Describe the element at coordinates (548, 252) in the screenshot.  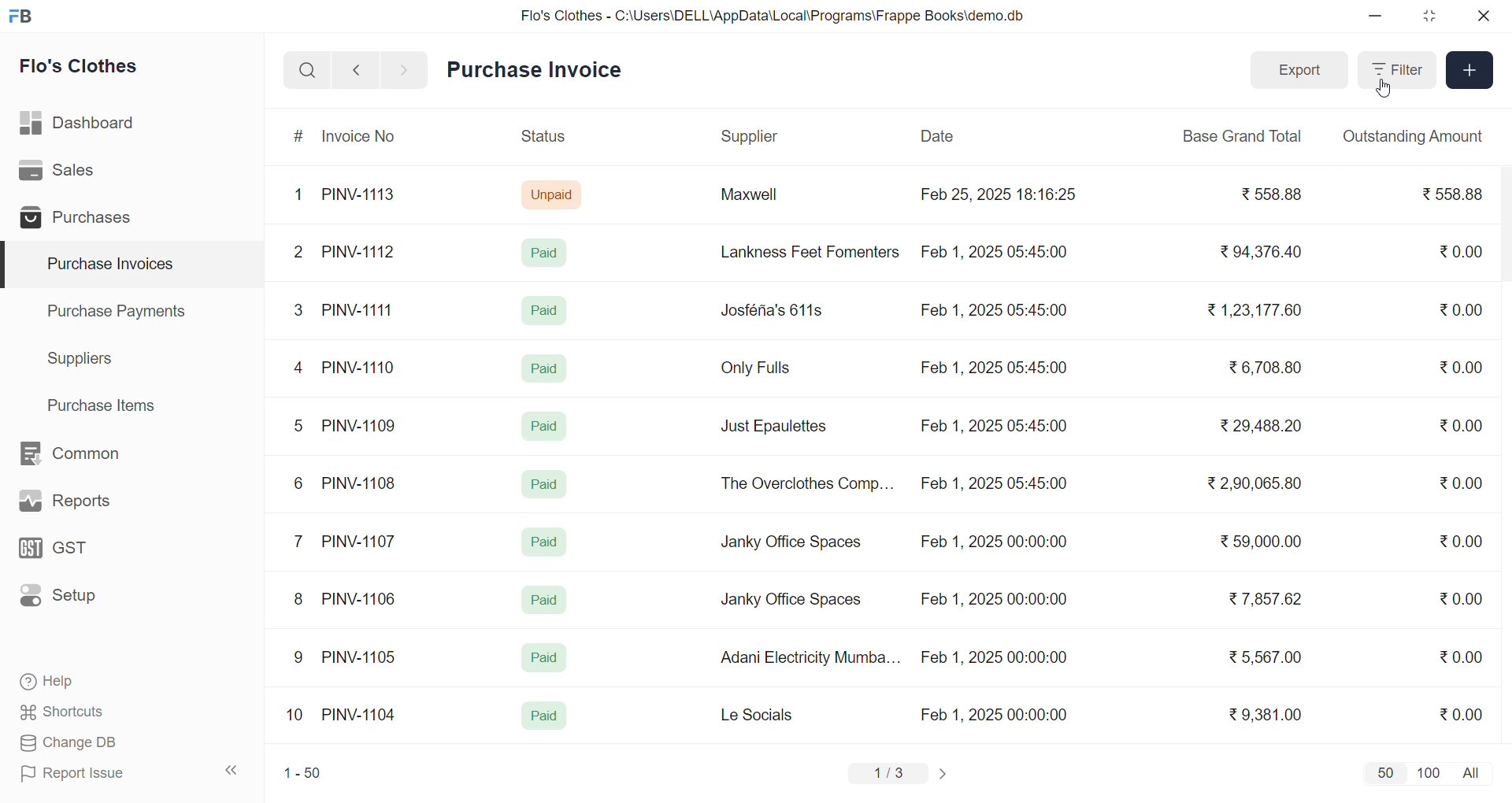
I see `Paid` at that location.